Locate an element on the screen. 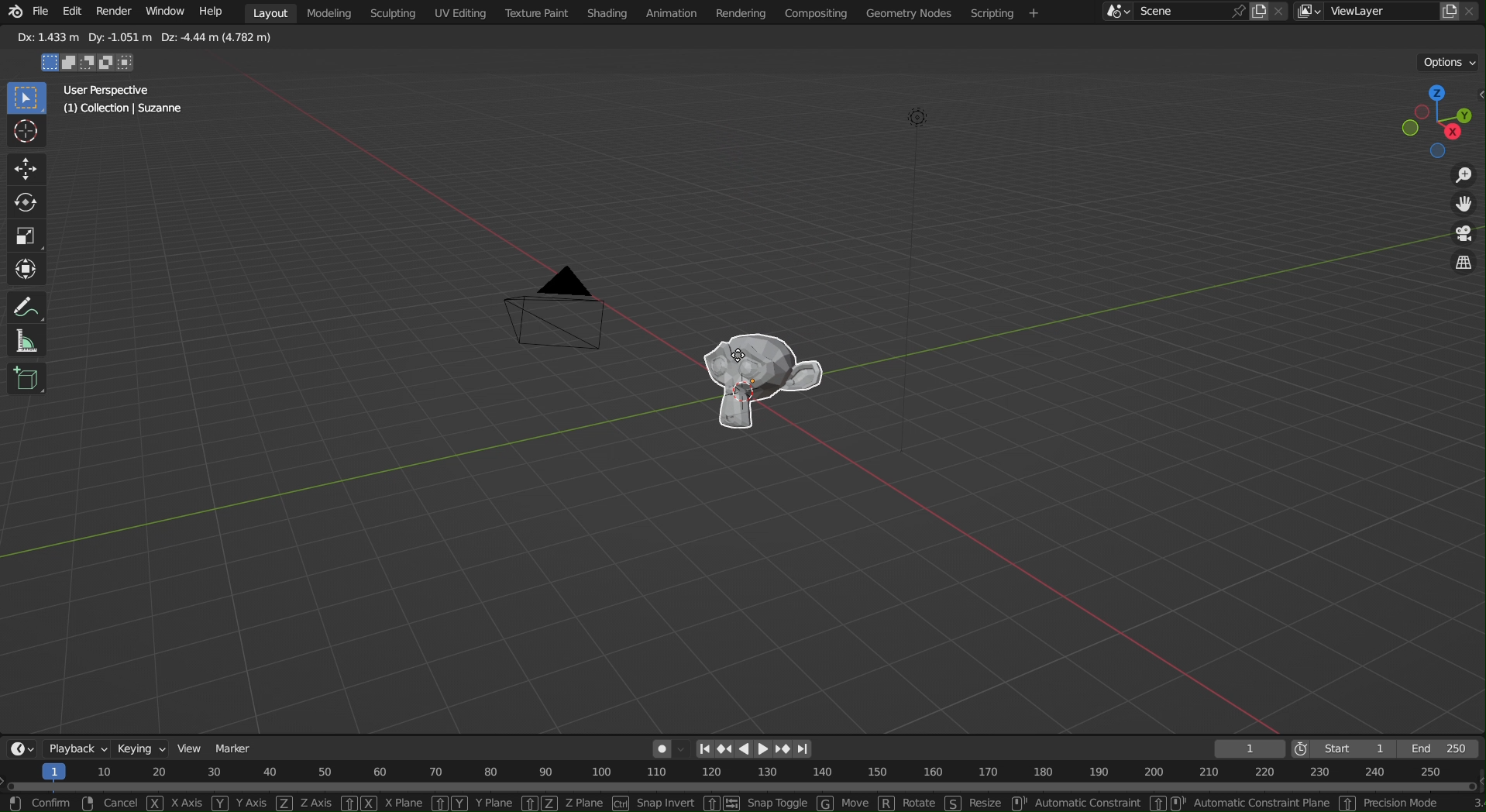  move is located at coordinates (857, 803).